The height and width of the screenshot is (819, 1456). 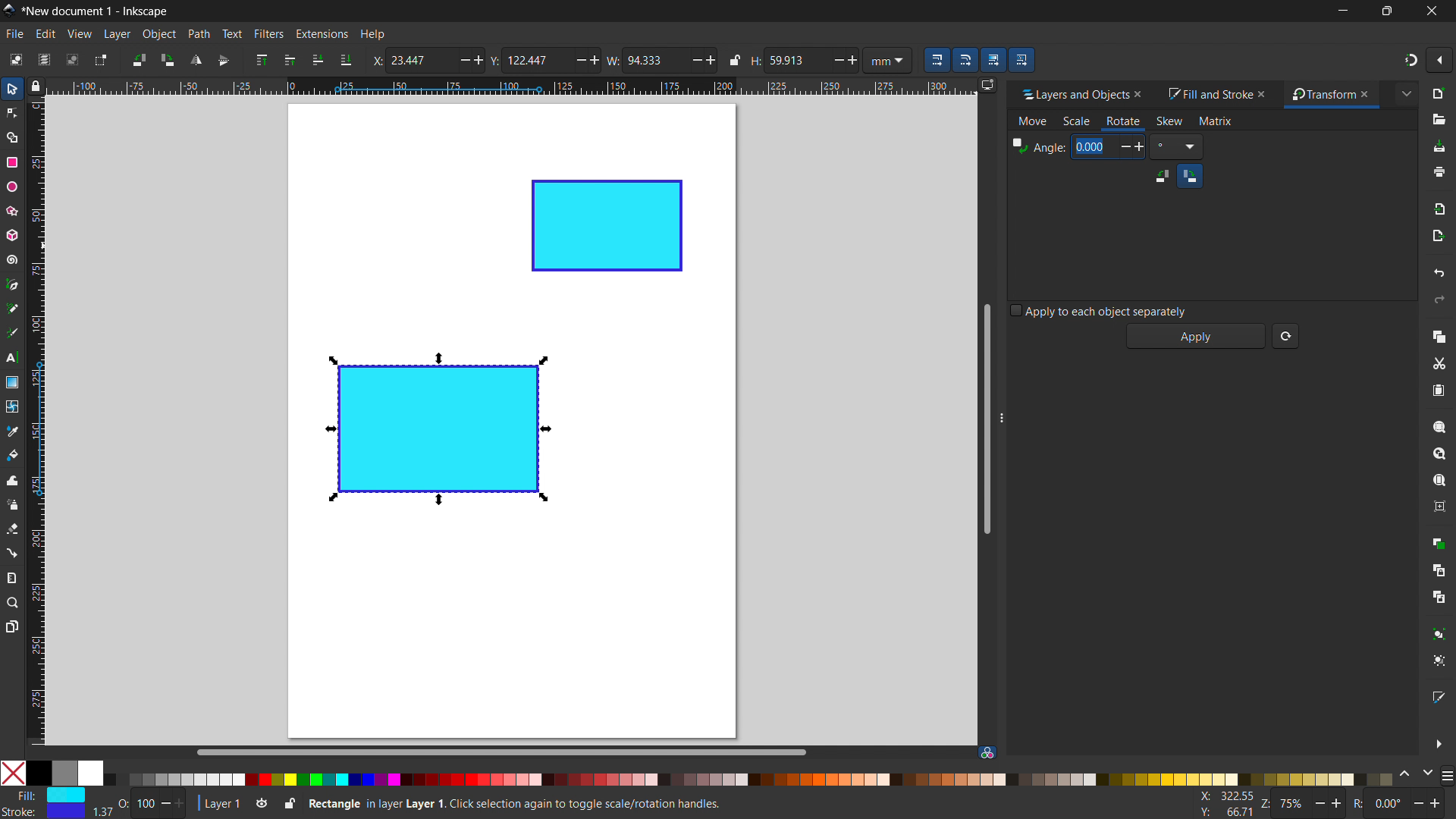 What do you see at coordinates (11, 111) in the screenshot?
I see `node tool` at bounding box center [11, 111].